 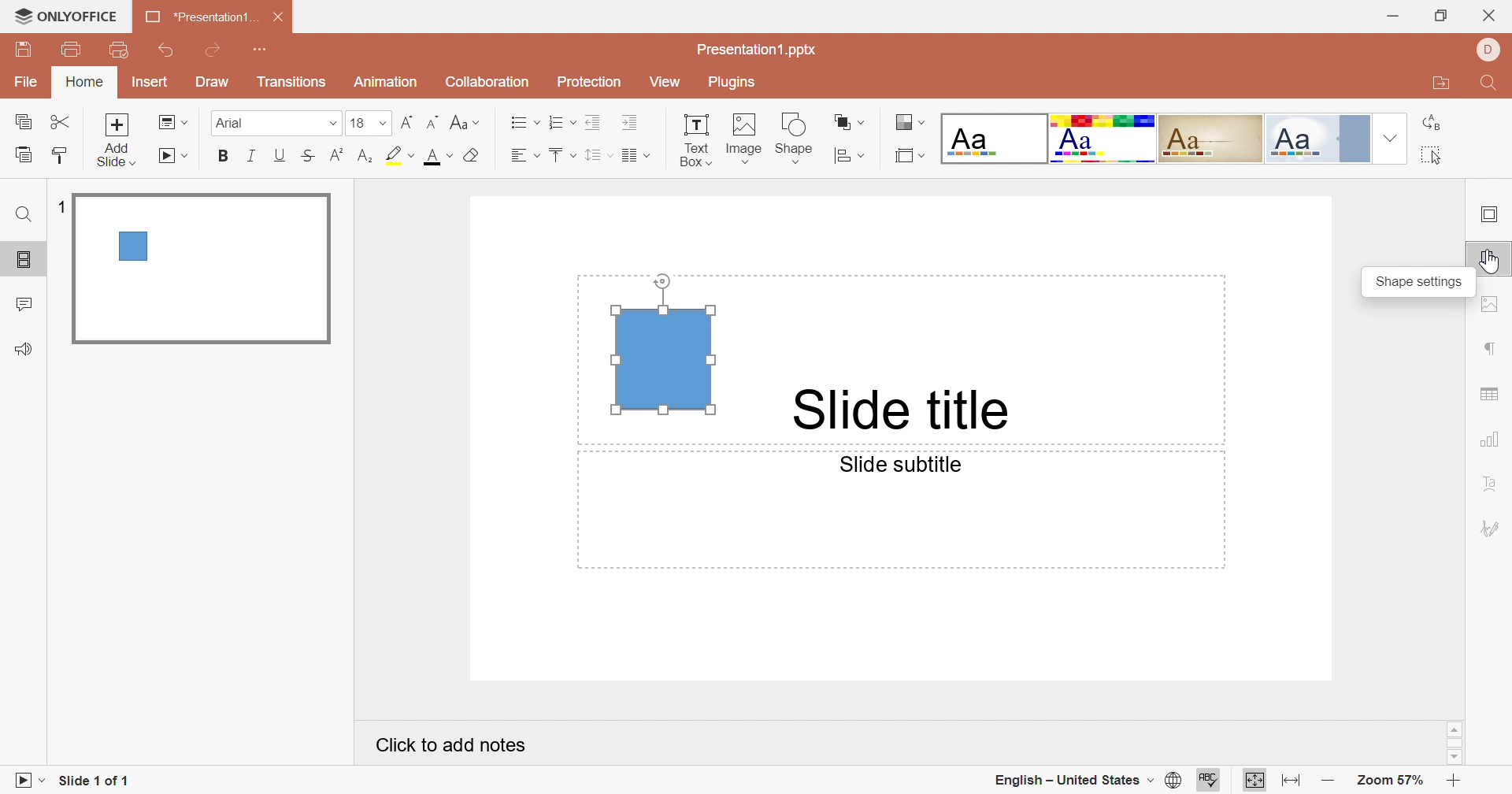 What do you see at coordinates (909, 404) in the screenshot?
I see `Slide title` at bounding box center [909, 404].